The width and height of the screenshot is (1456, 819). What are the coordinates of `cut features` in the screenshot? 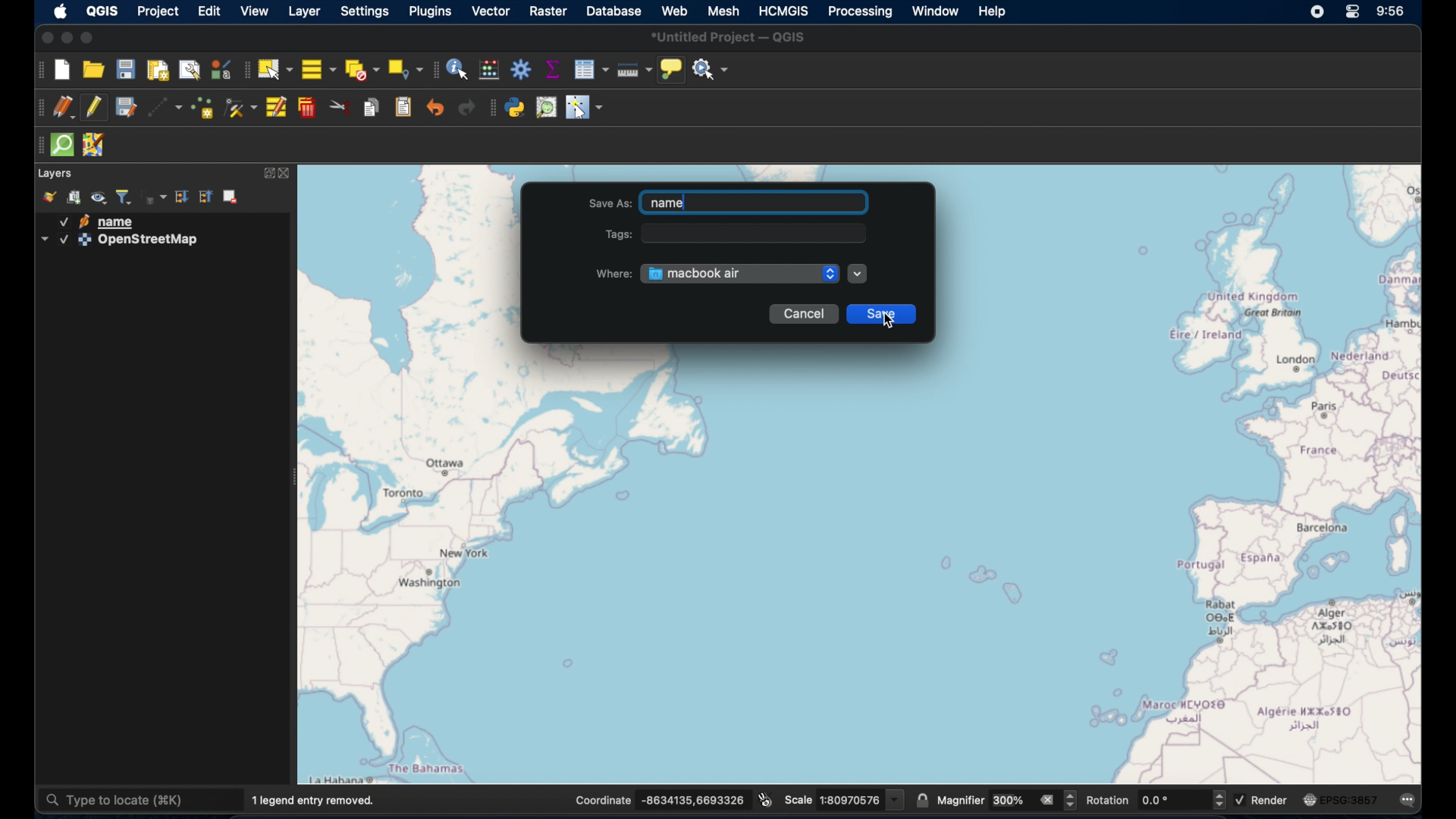 It's located at (340, 107).